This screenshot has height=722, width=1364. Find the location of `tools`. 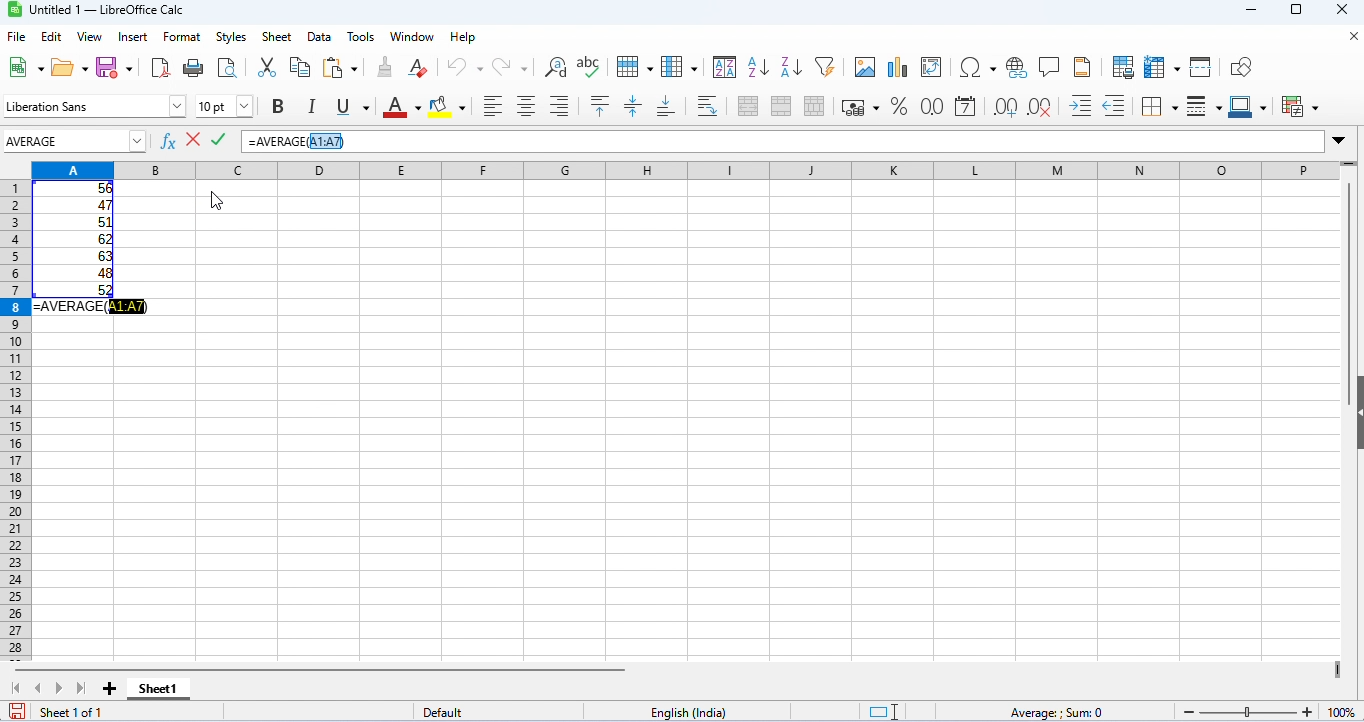

tools is located at coordinates (361, 37).